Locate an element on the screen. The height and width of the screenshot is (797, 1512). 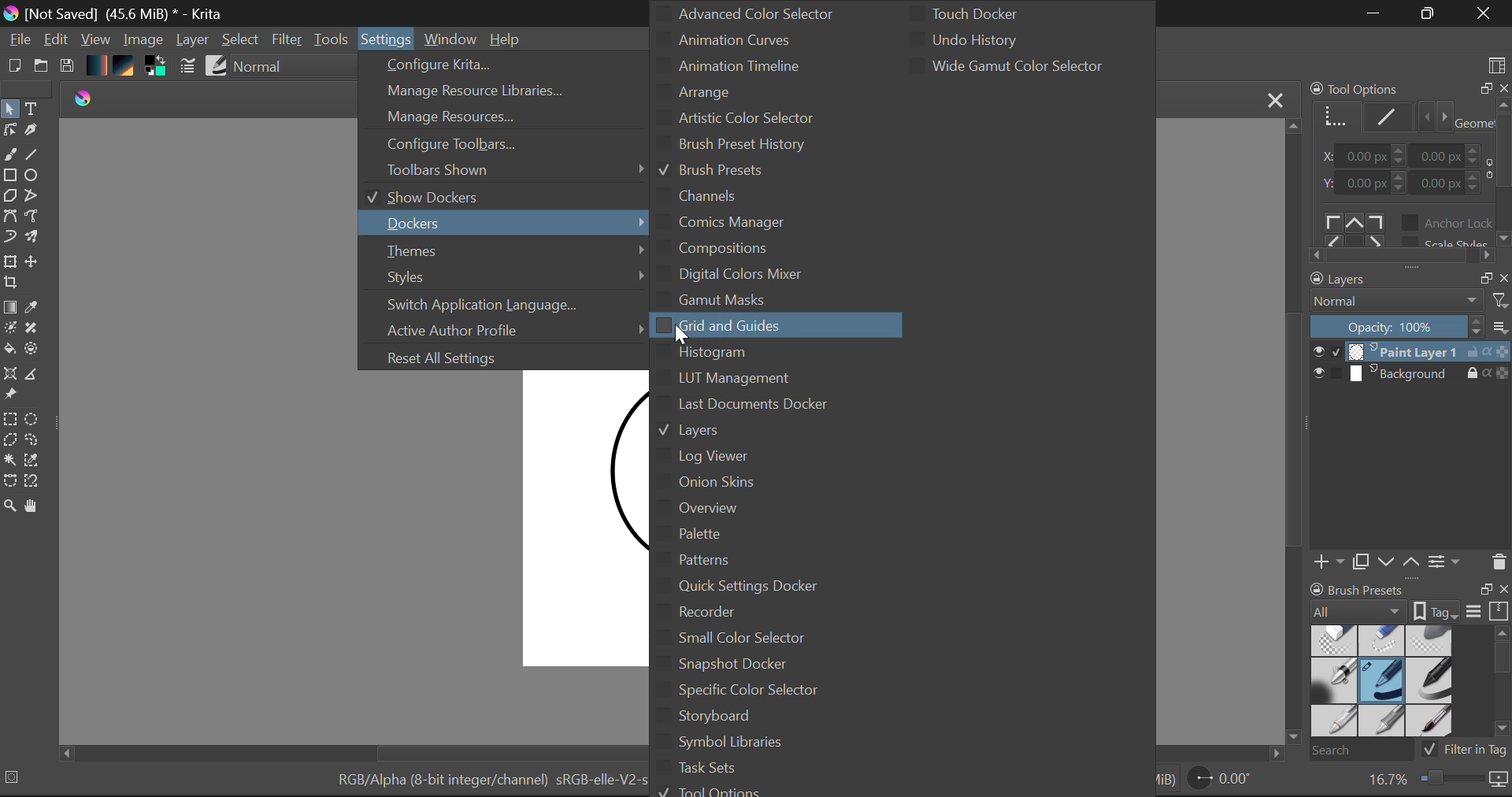
Filter is located at coordinates (285, 40).